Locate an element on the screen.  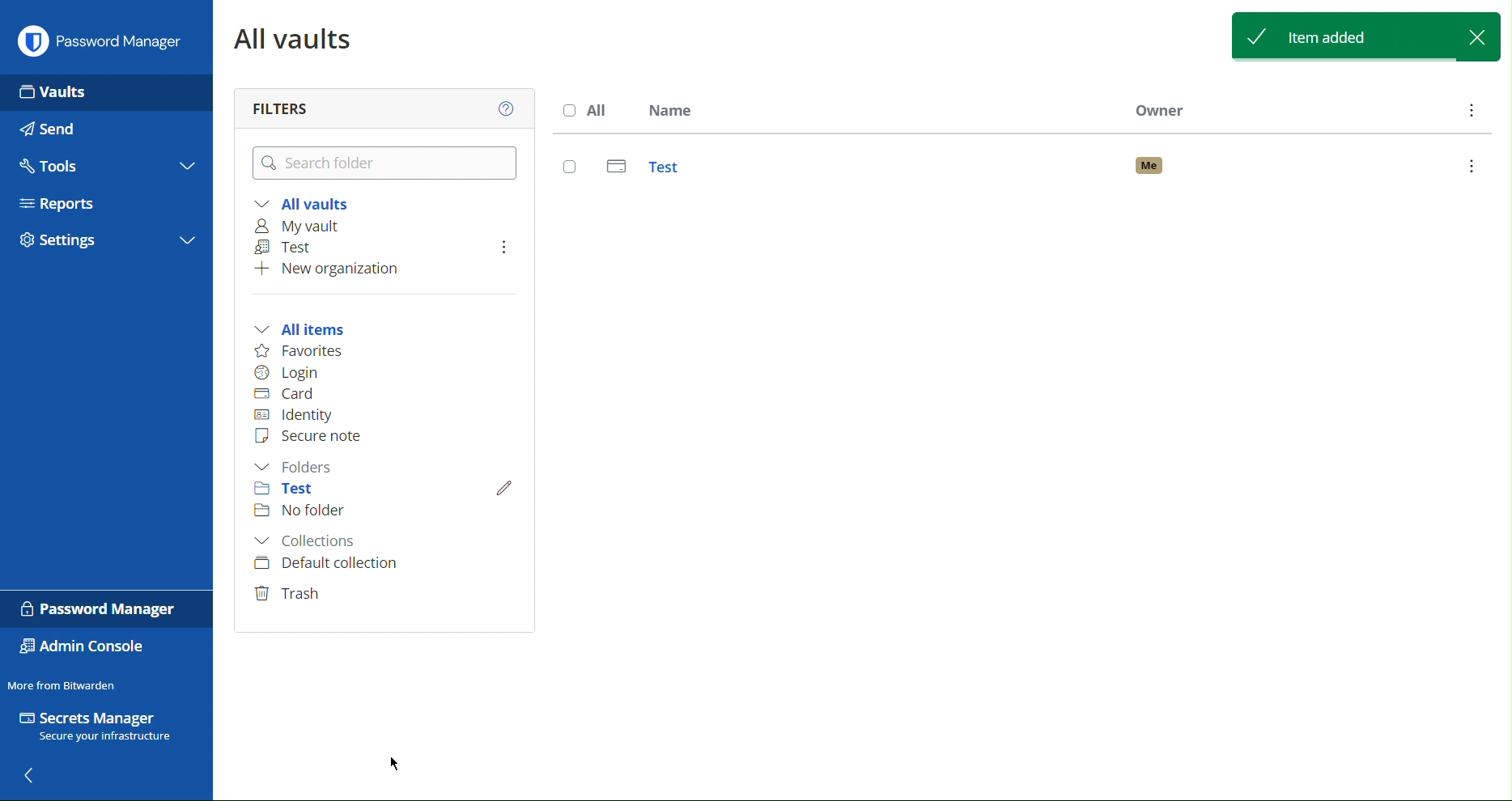
My vault is located at coordinates (304, 224).